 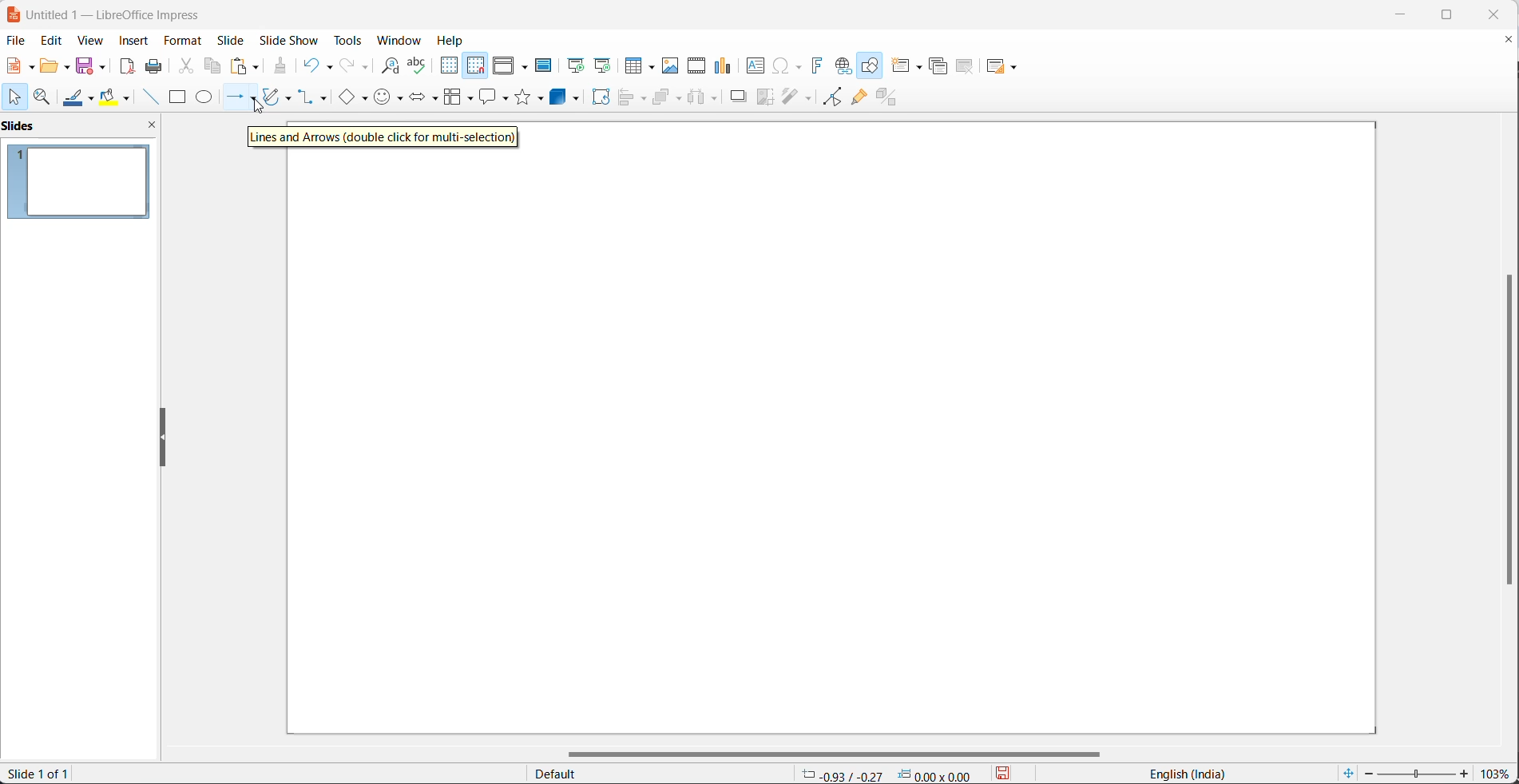 What do you see at coordinates (184, 40) in the screenshot?
I see `format` at bounding box center [184, 40].